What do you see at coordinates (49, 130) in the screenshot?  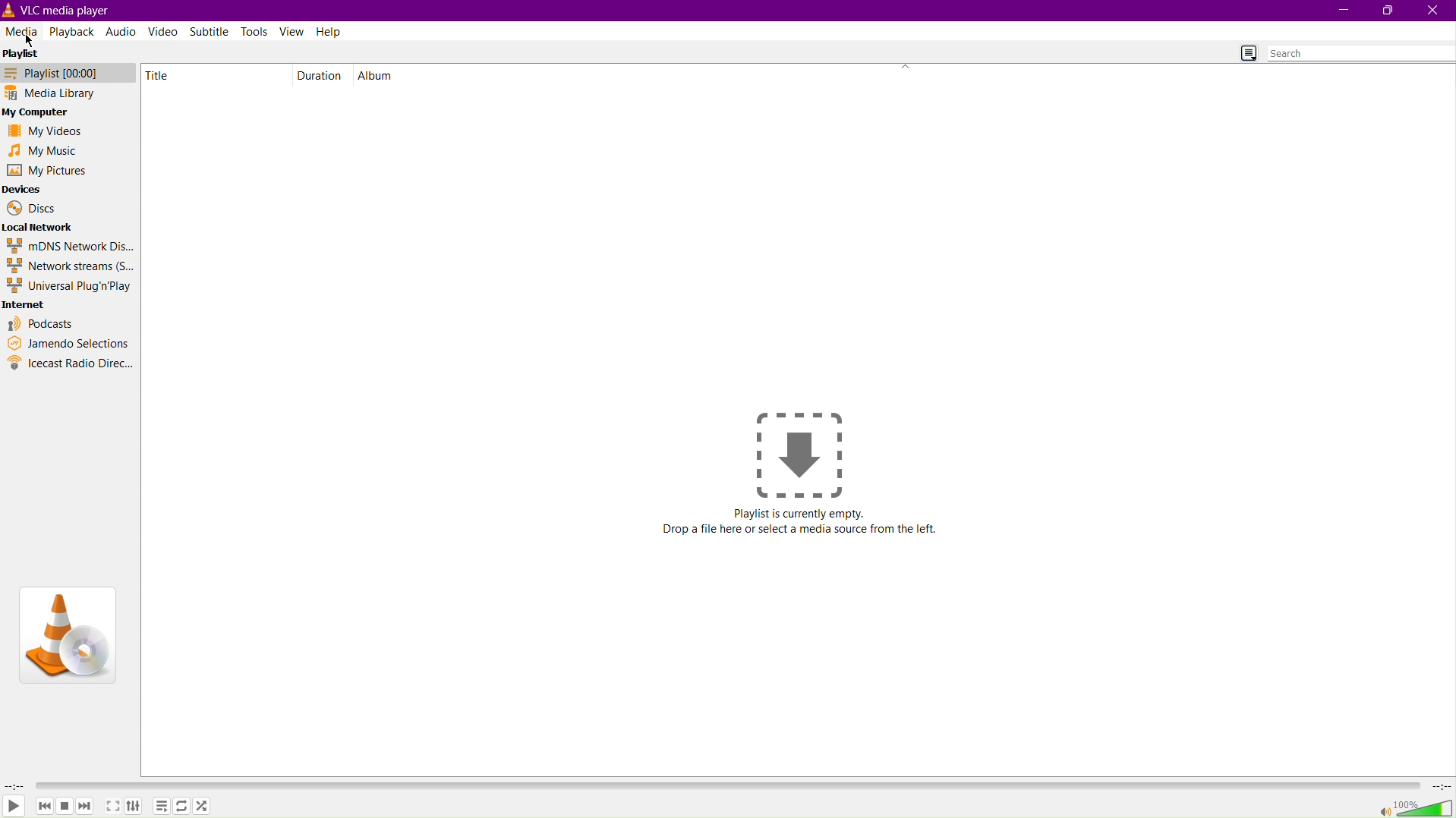 I see `My Videos` at bounding box center [49, 130].